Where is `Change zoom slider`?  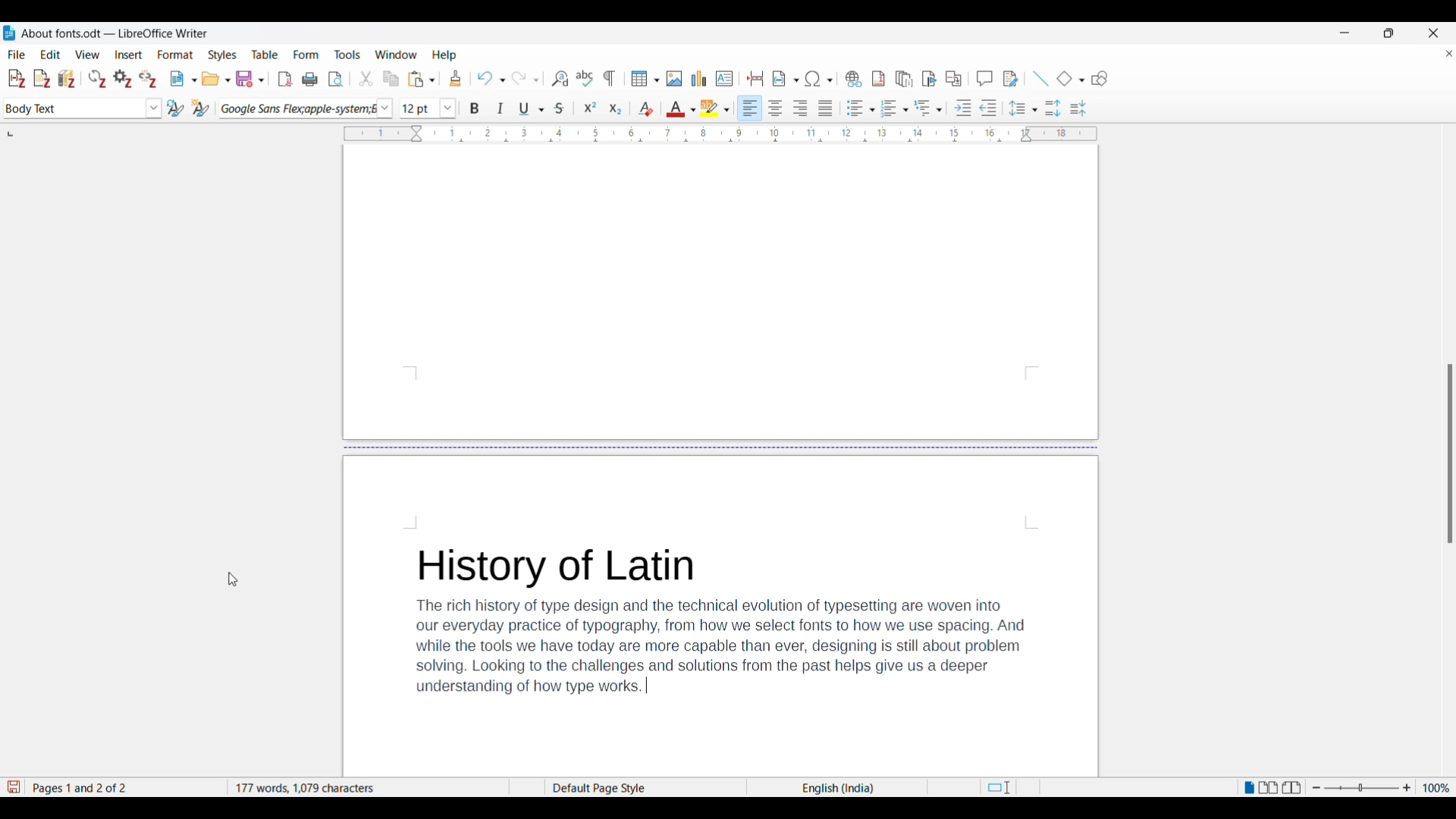 Change zoom slider is located at coordinates (1361, 789).